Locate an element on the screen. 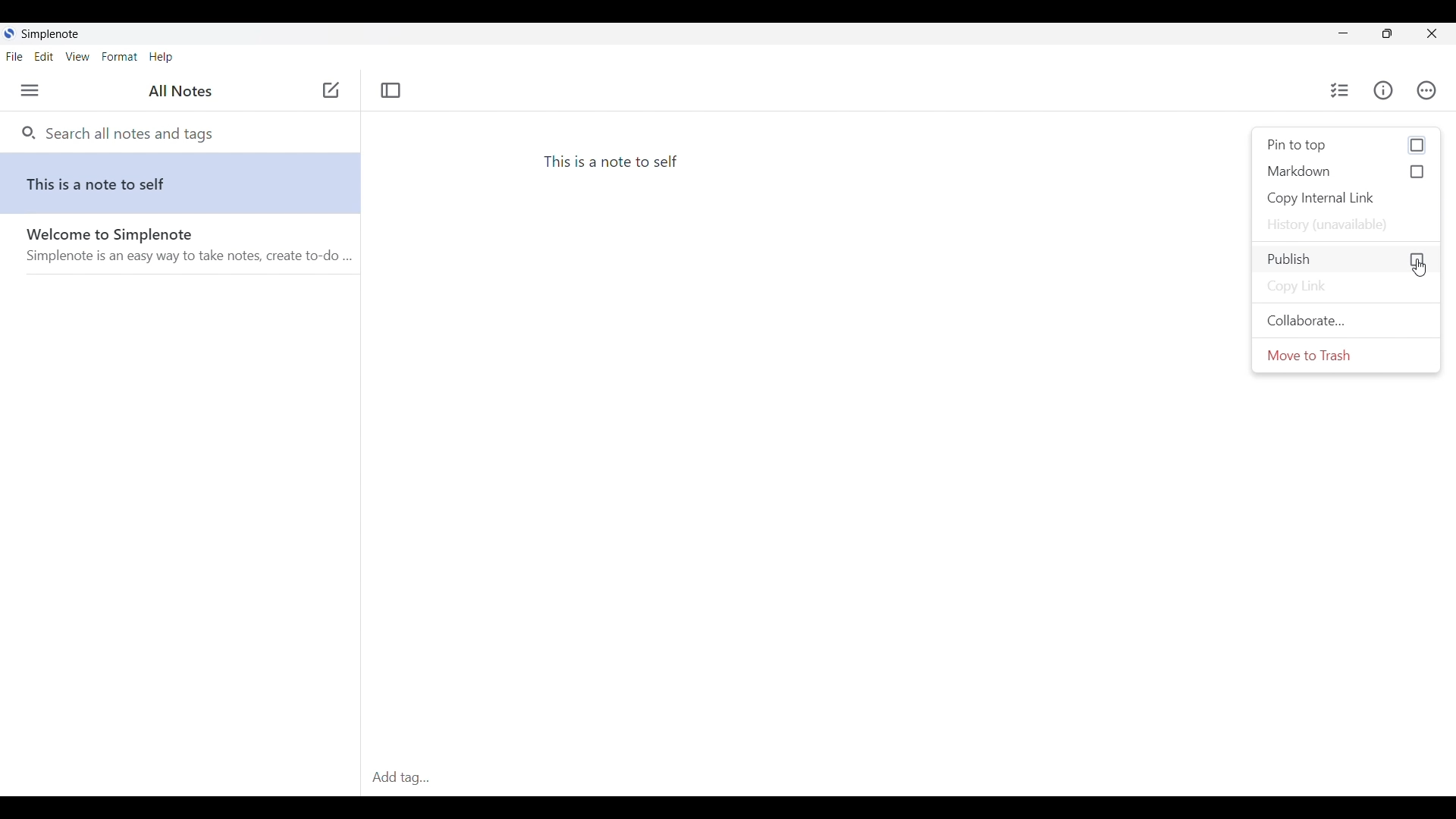 The width and height of the screenshot is (1456, 819). history (unavailable) is located at coordinates (1346, 225).